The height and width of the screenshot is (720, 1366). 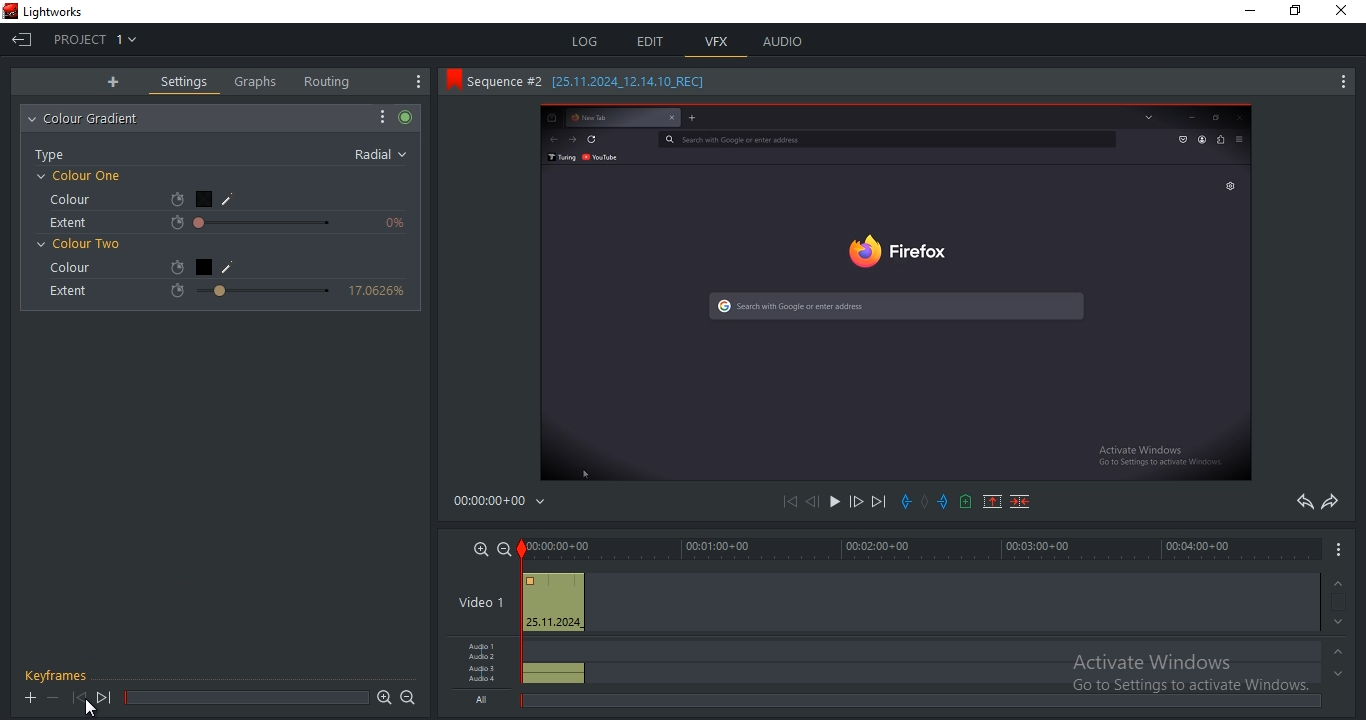 What do you see at coordinates (684, 60) in the screenshot?
I see `Edit menu selected` at bounding box center [684, 60].